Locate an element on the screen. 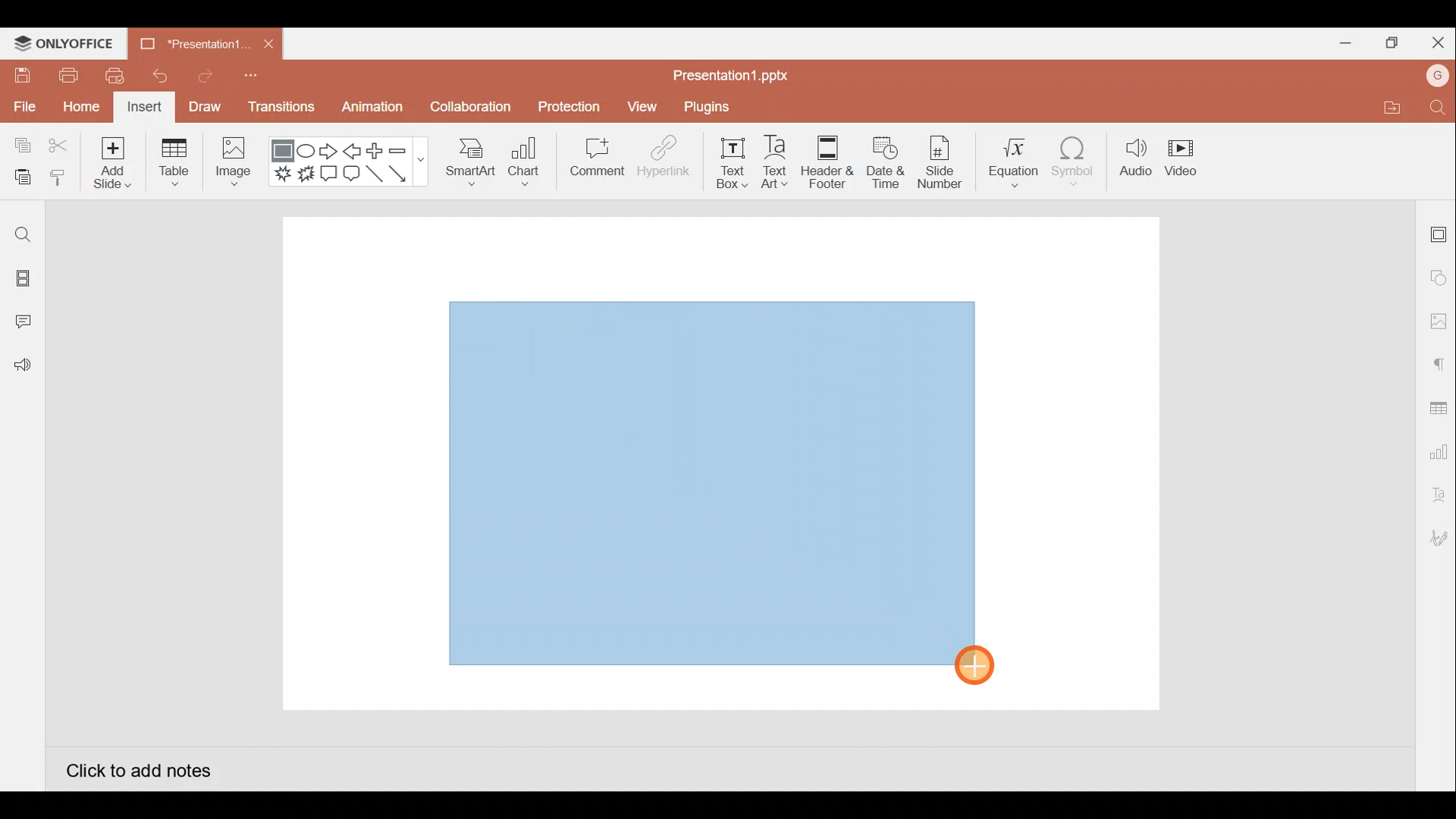  Comment is located at coordinates (591, 160).